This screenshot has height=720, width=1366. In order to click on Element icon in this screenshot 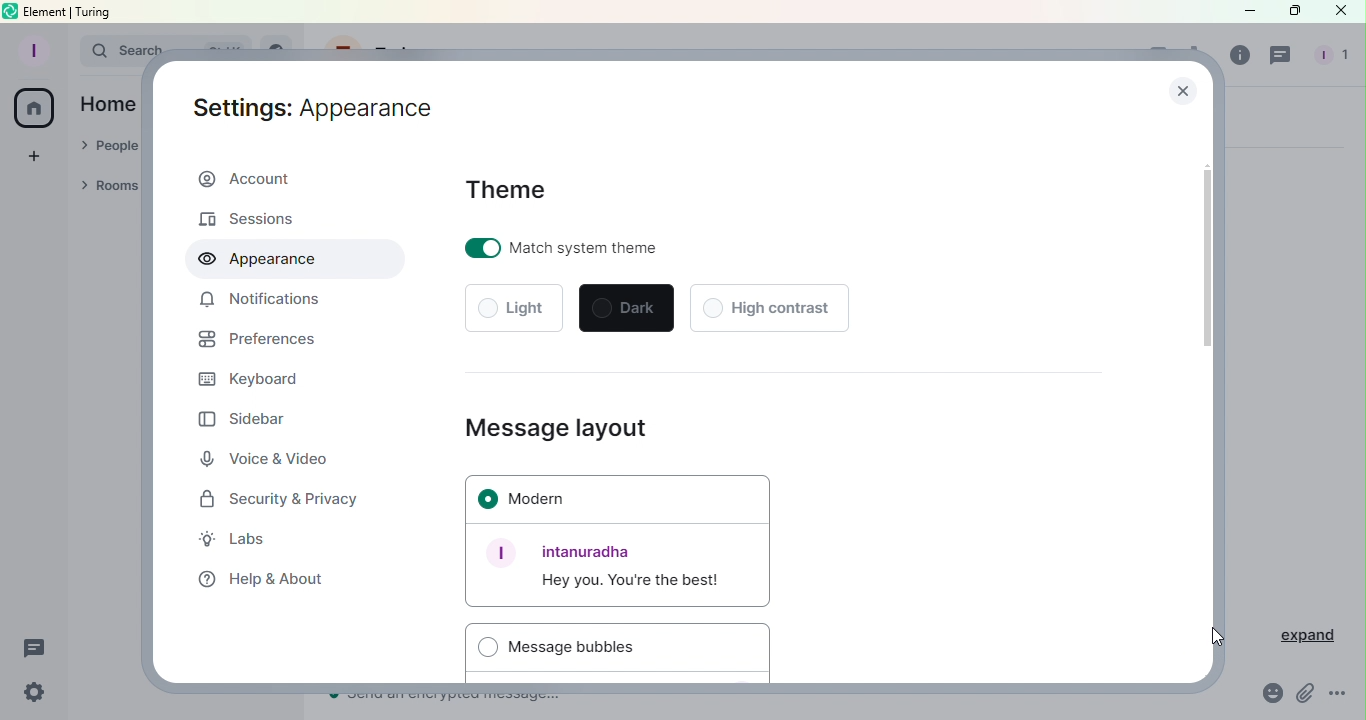, I will do `click(11, 11)`.